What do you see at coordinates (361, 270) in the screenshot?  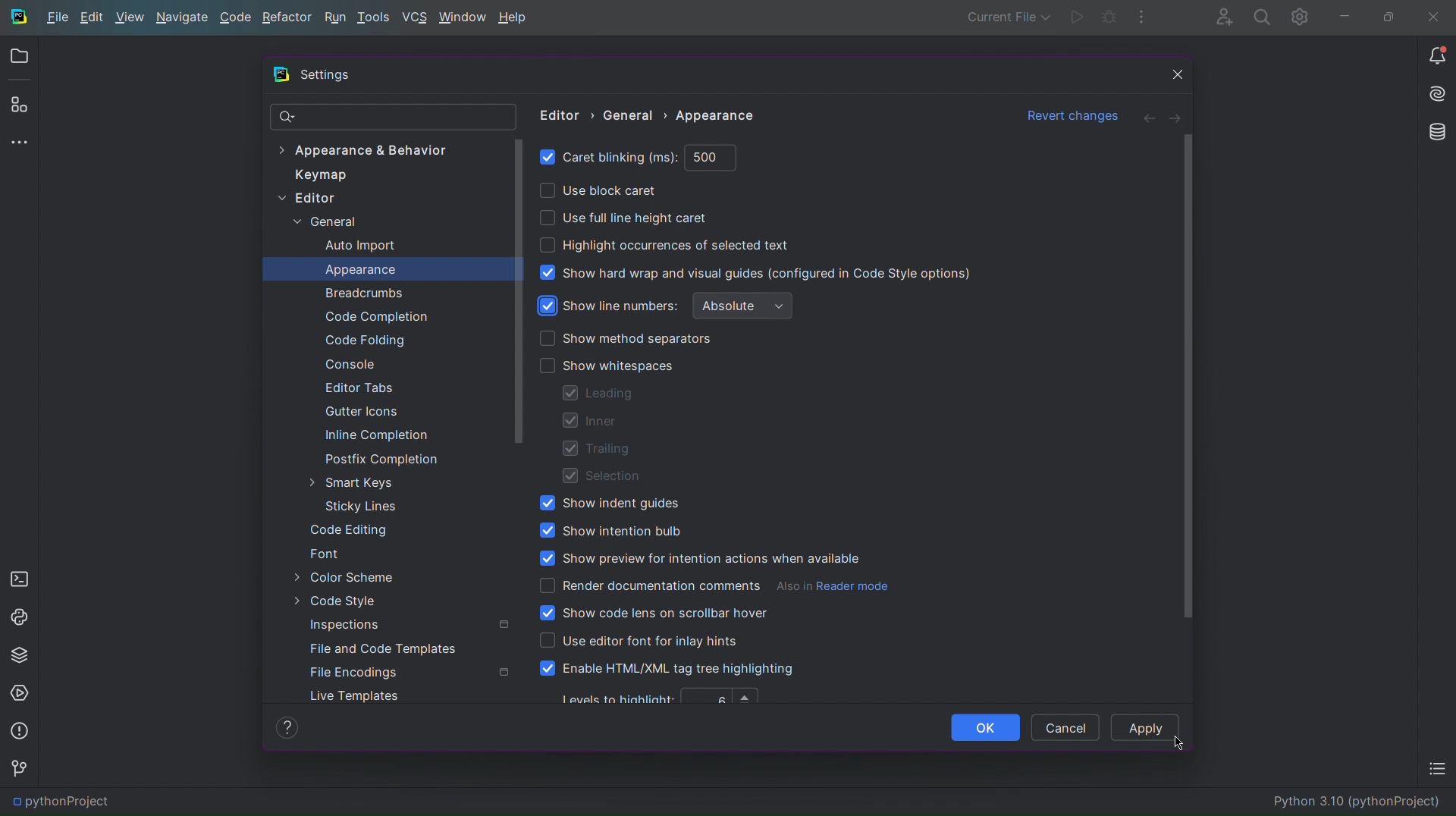 I see `Appearance` at bounding box center [361, 270].